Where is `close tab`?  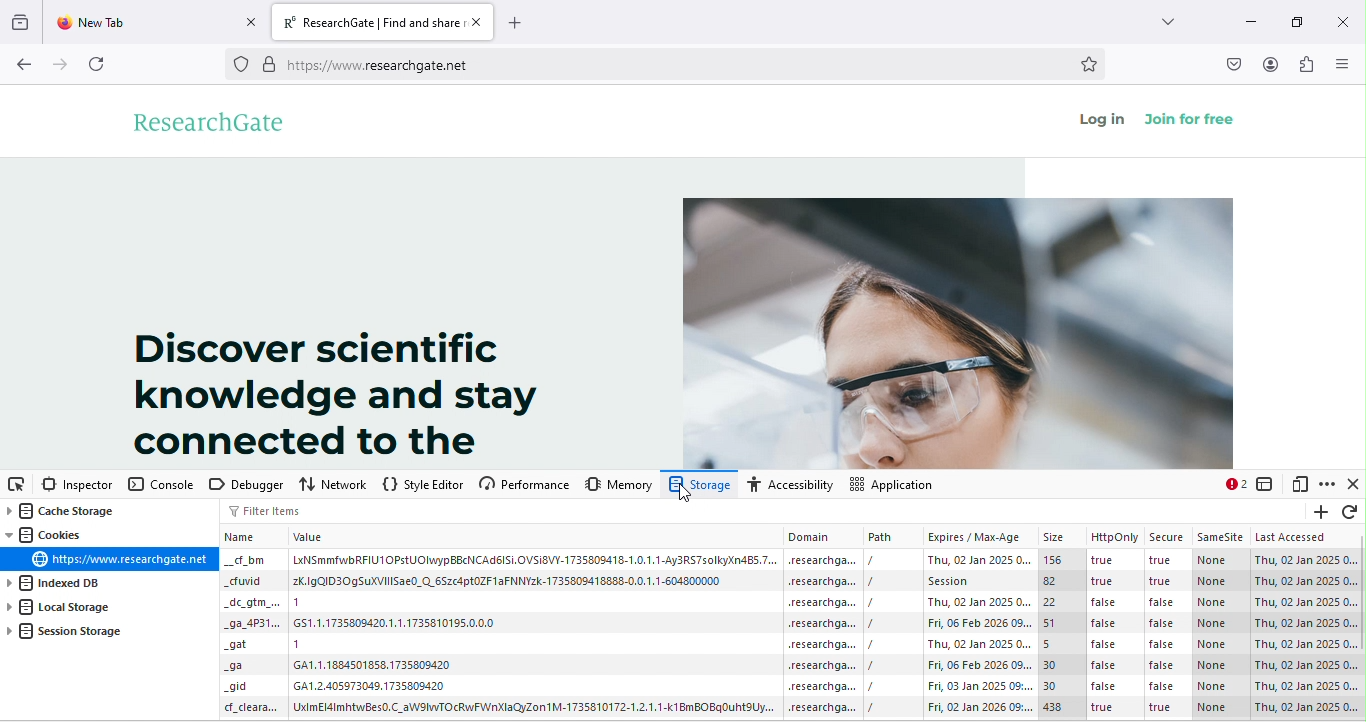
close tab is located at coordinates (250, 21).